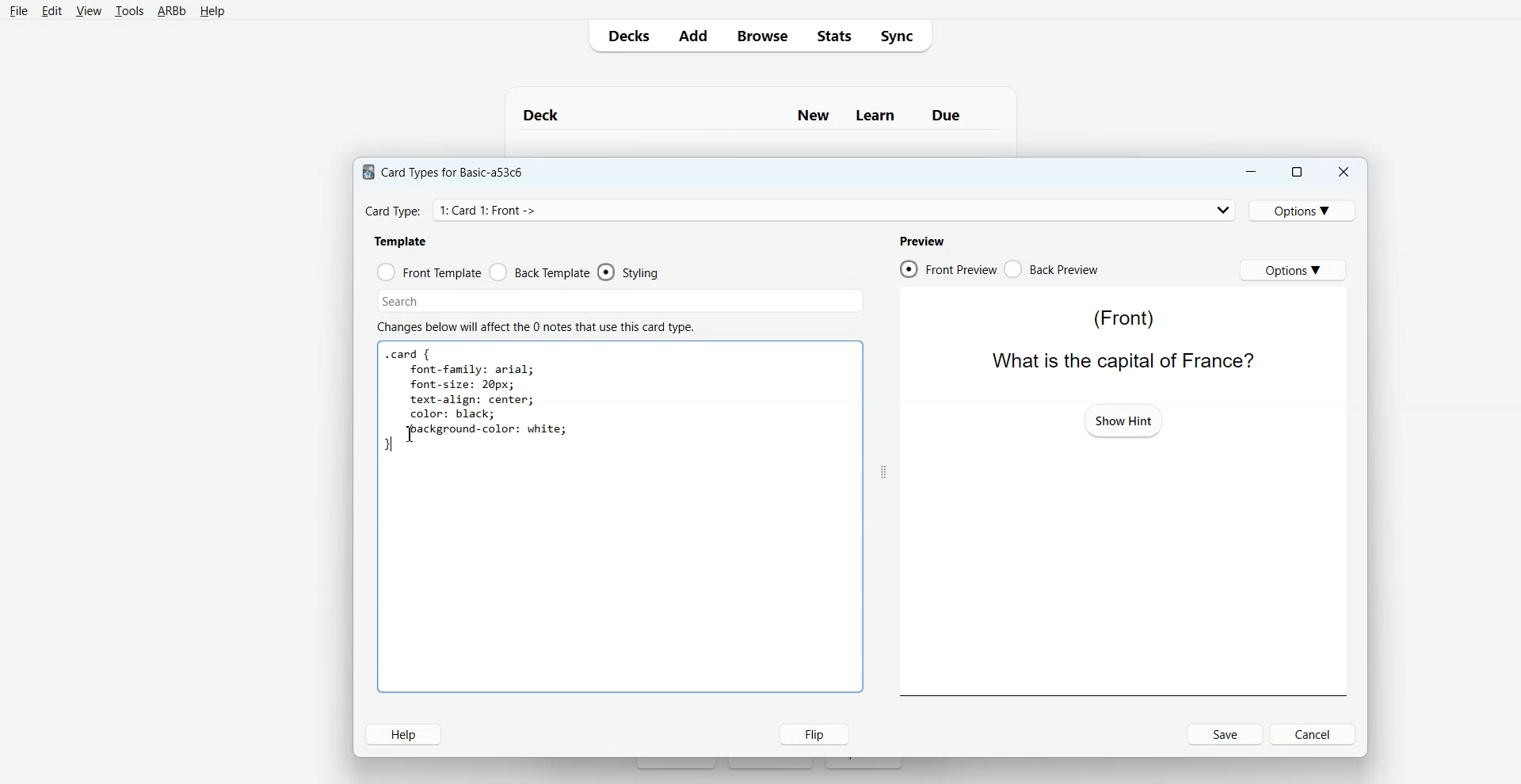 Image resolution: width=1521 pixels, height=784 pixels. Describe the element at coordinates (1343, 173) in the screenshot. I see `Close` at that location.